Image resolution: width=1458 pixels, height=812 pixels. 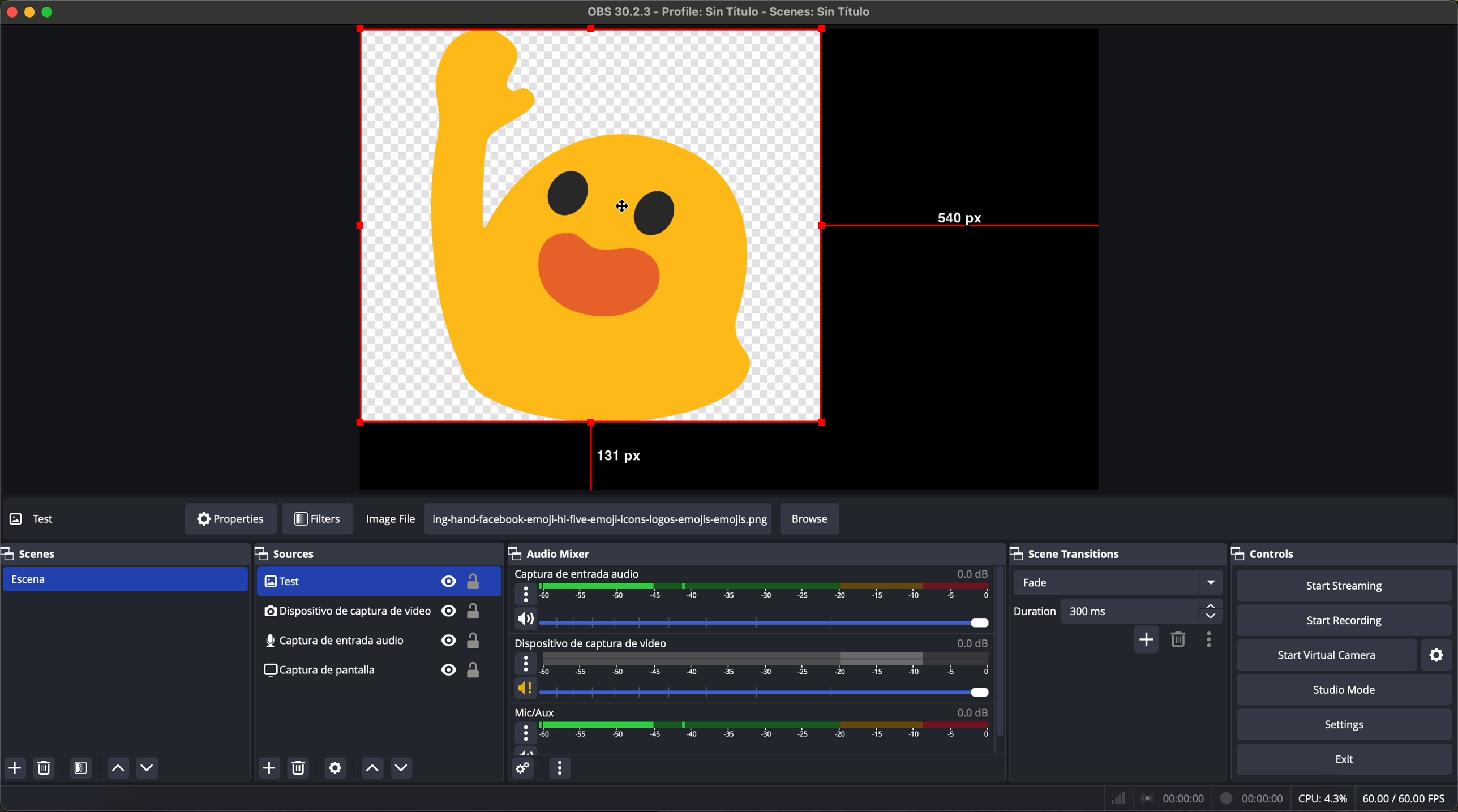 I want to click on add scene, so click(x=15, y=768).